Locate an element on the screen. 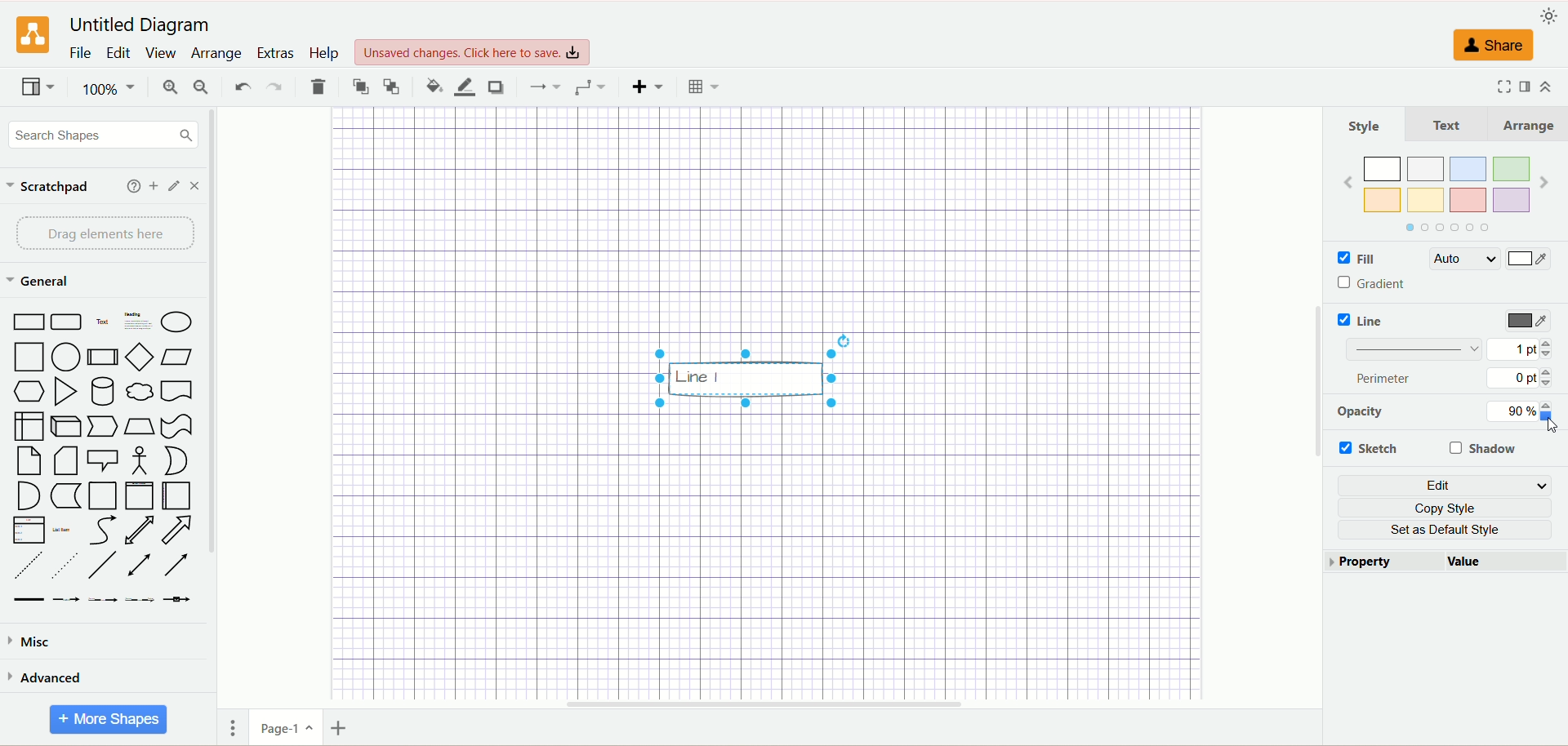 This screenshot has width=1568, height=746. format is located at coordinates (1526, 87).